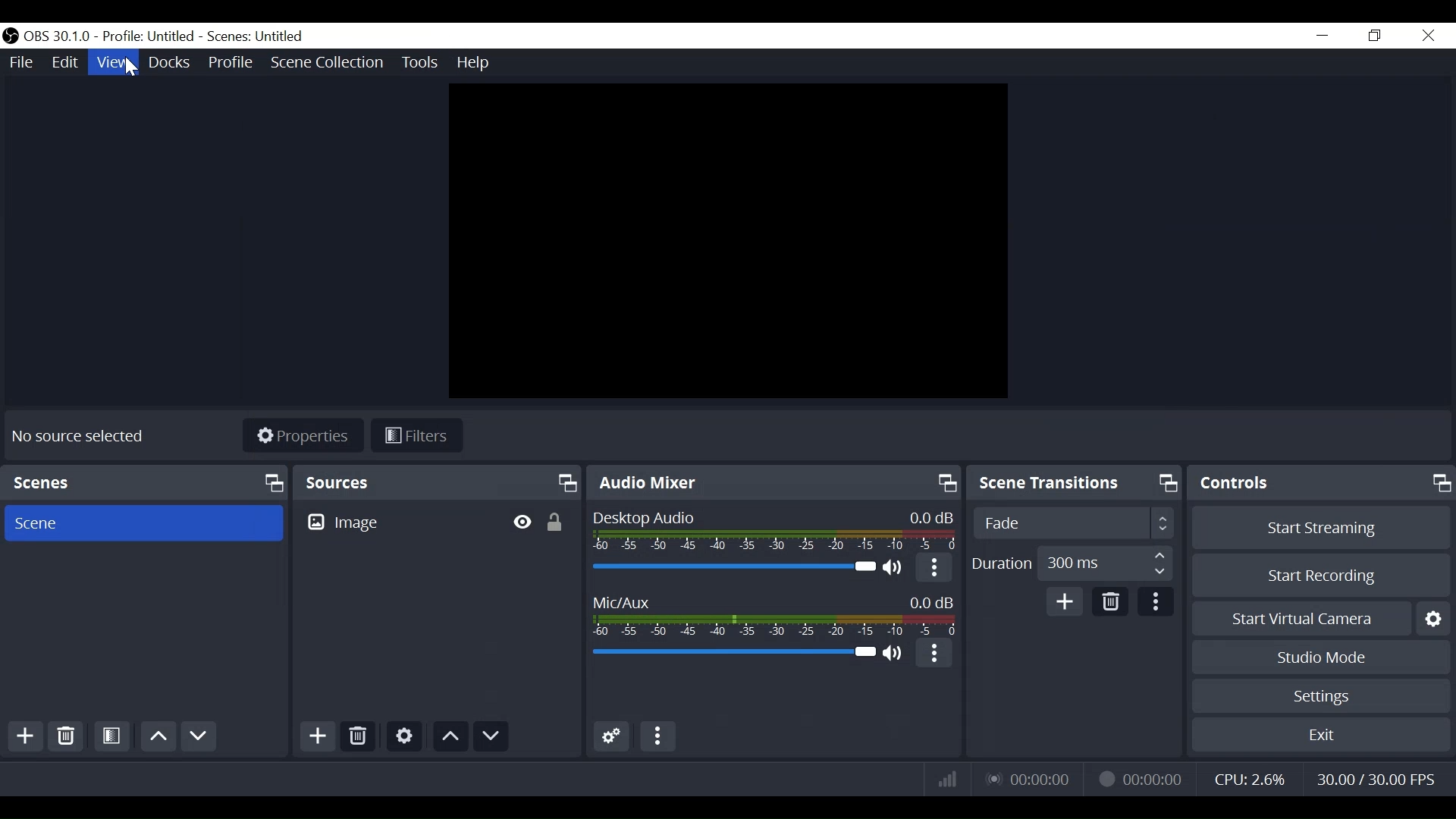 This screenshot has height=819, width=1456. What do you see at coordinates (1075, 483) in the screenshot?
I see `Scene Transition` at bounding box center [1075, 483].